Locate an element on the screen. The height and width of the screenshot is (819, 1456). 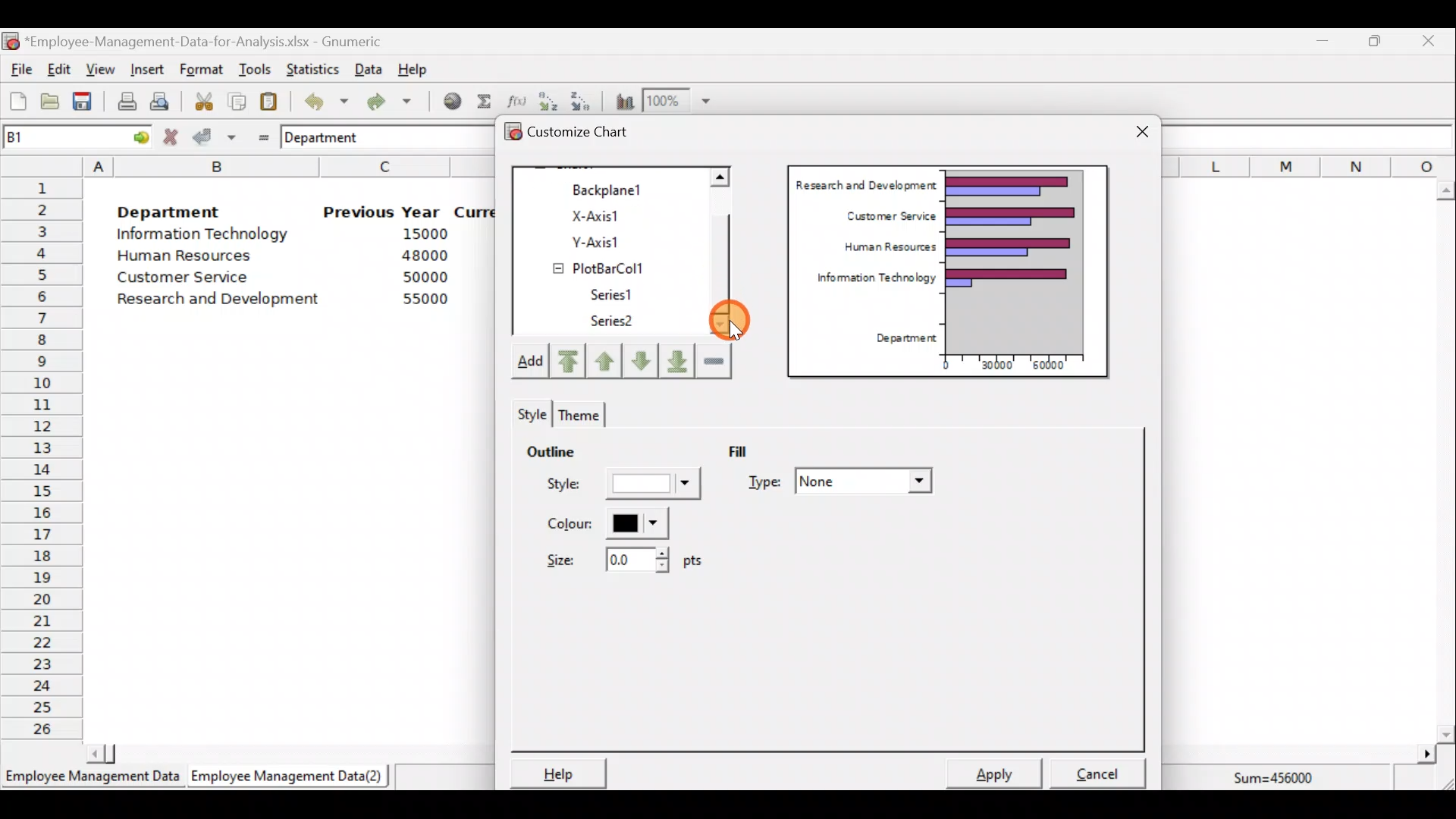
Type is located at coordinates (843, 483).